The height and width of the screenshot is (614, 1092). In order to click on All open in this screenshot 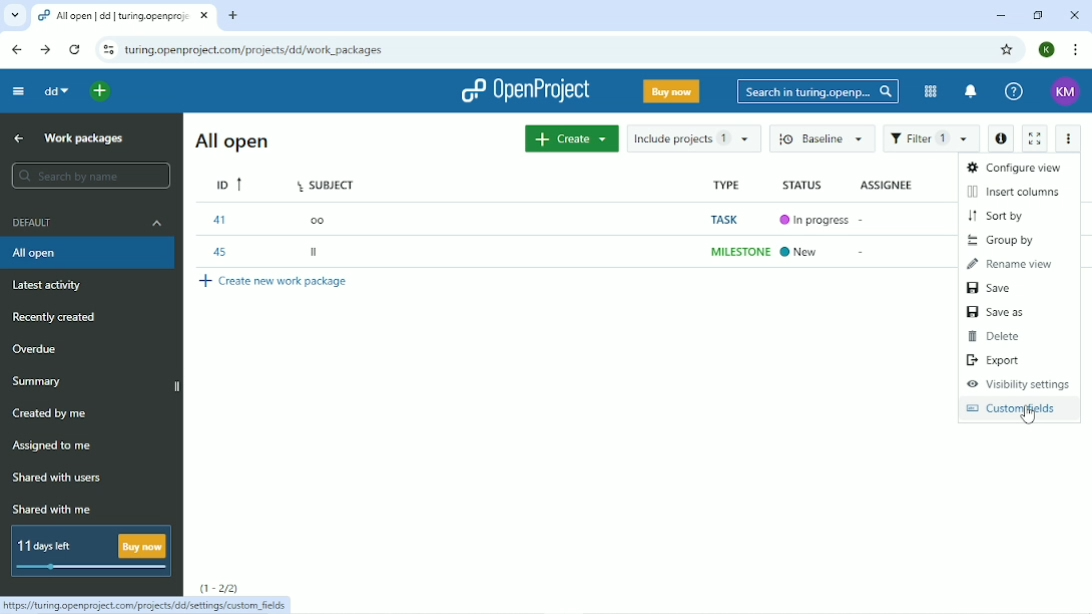, I will do `click(87, 254)`.